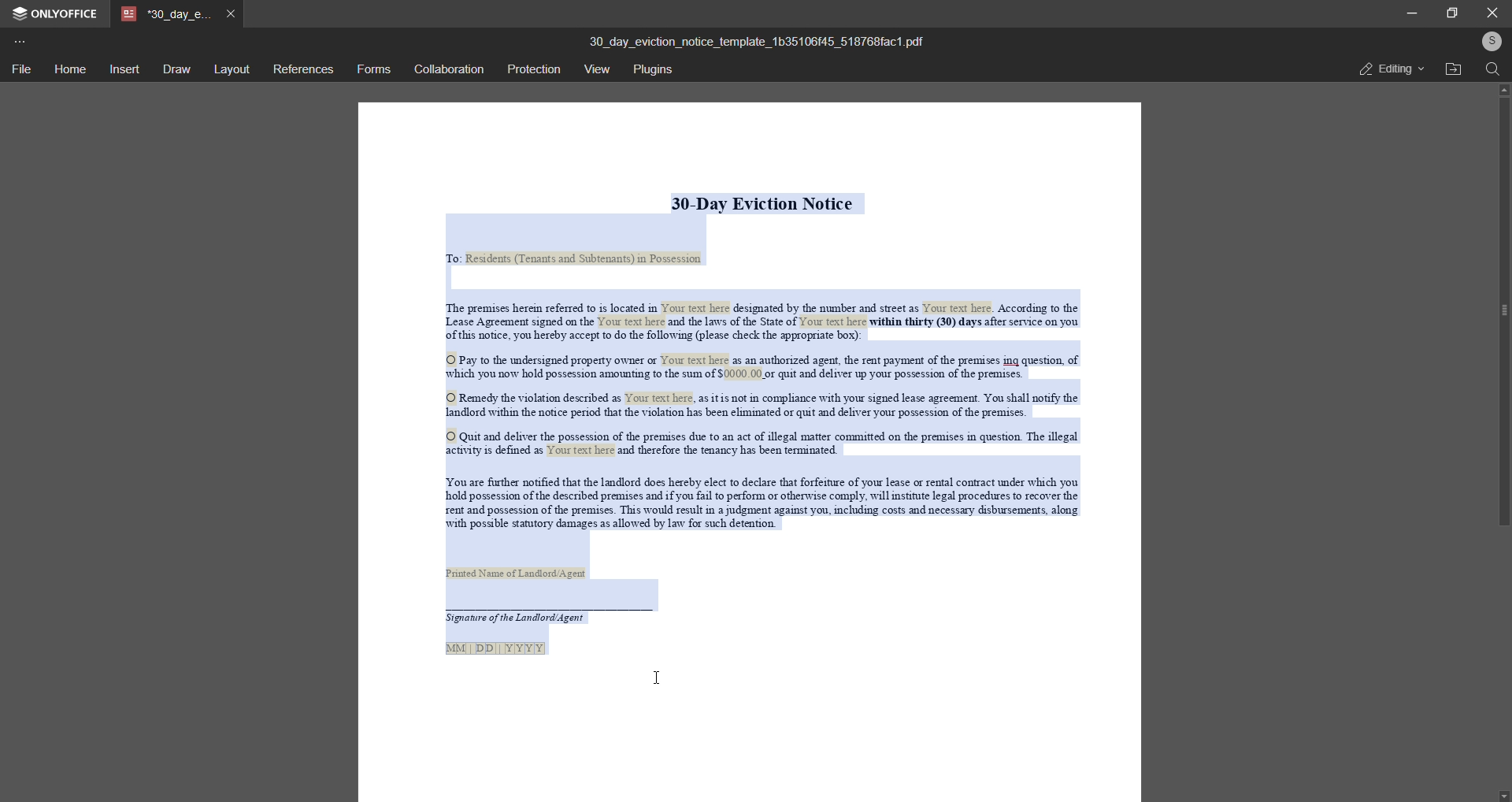  Describe the element at coordinates (598, 69) in the screenshot. I see `view` at that location.